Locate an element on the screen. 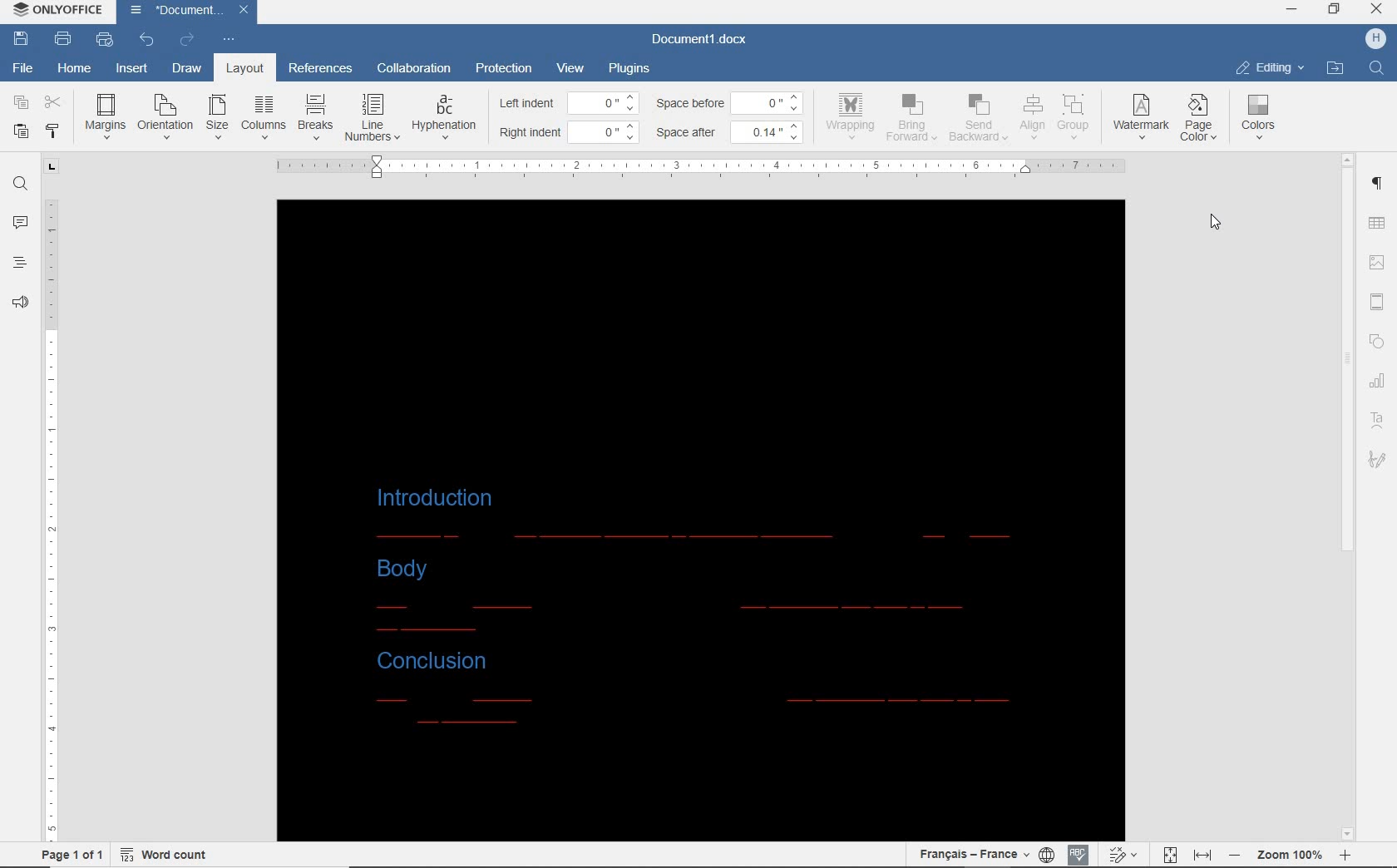  spell checking is located at coordinates (1078, 851).